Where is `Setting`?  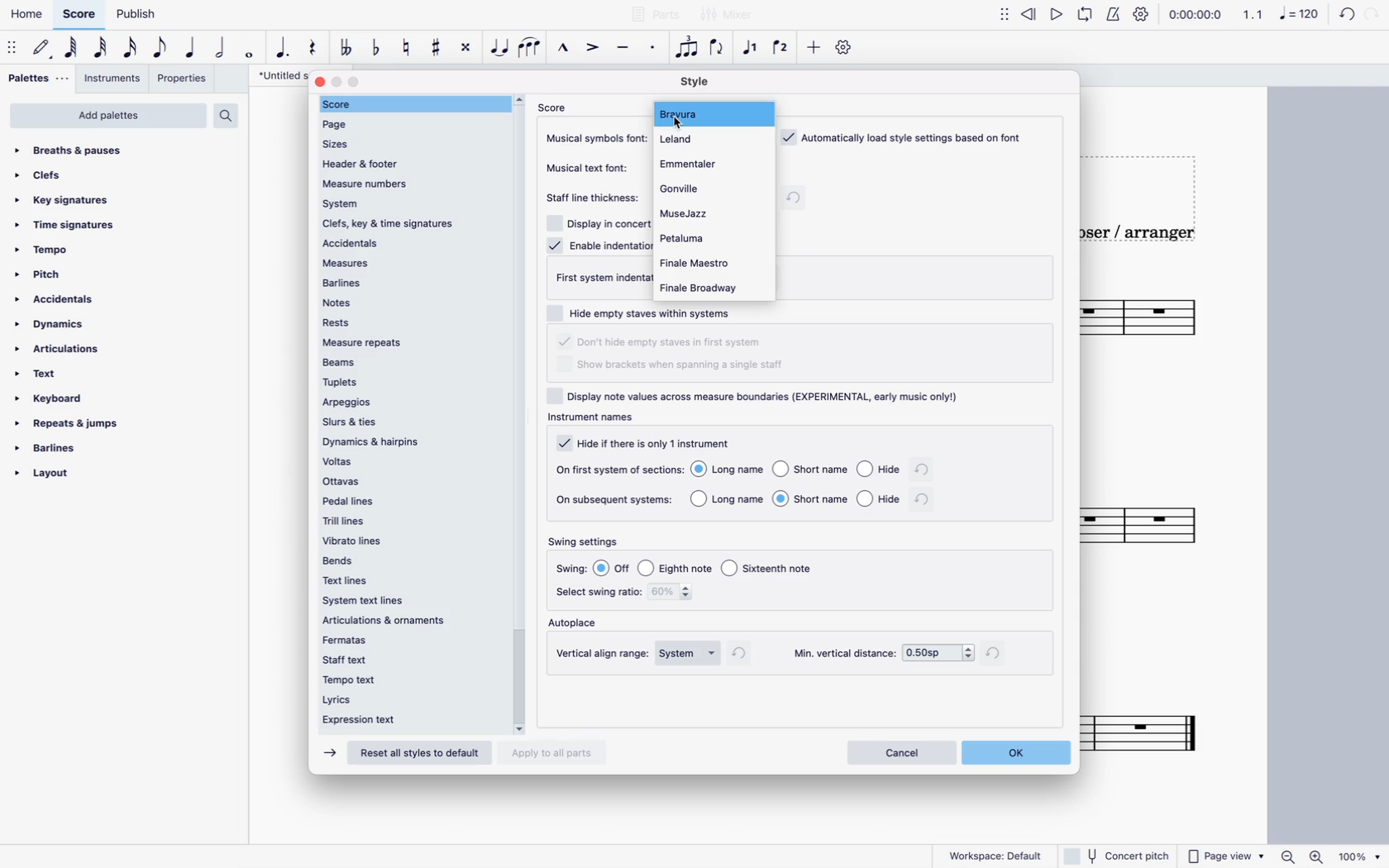 Setting is located at coordinates (1143, 13).